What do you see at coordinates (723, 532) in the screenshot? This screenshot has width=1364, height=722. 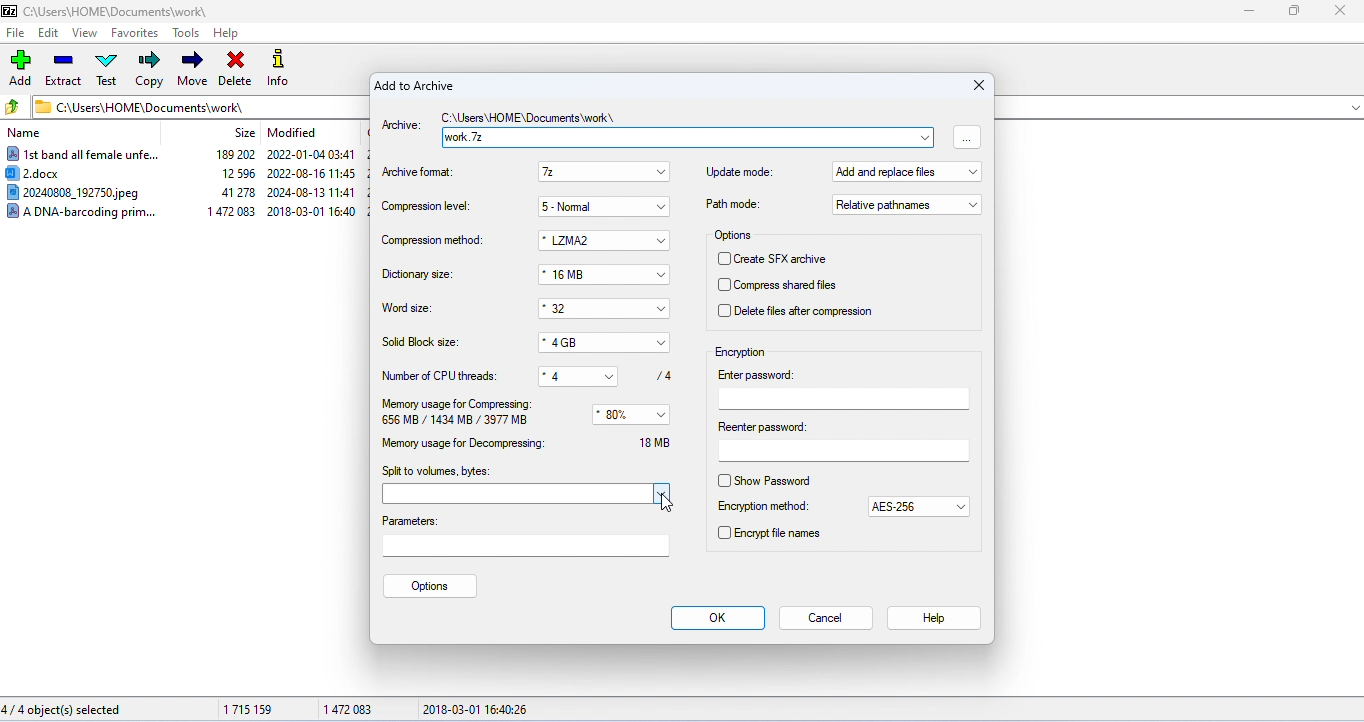 I see `check box` at bounding box center [723, 532].